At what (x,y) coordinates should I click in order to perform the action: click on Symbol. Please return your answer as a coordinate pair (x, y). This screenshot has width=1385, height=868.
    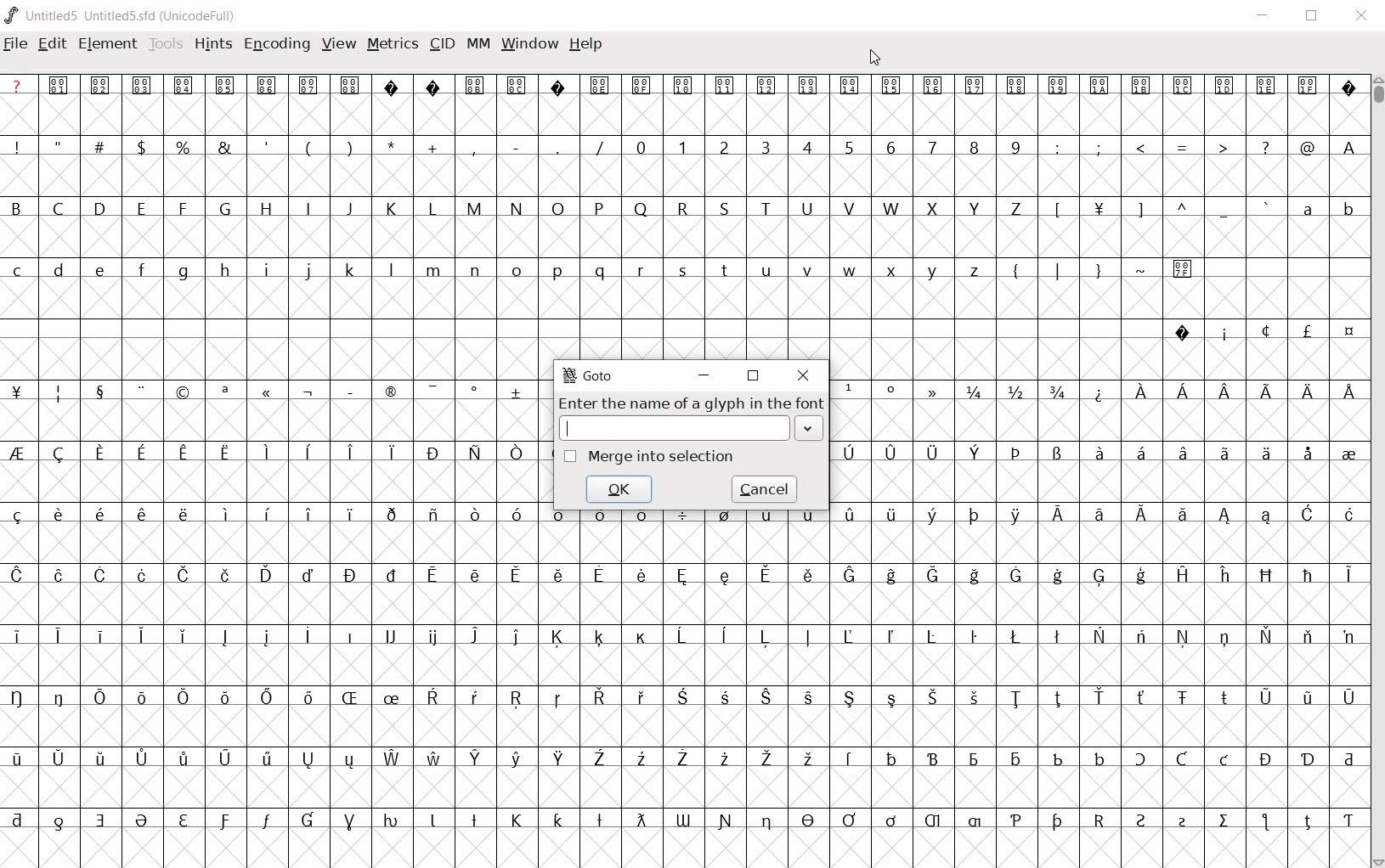
    Looking at the image, I should click on (1016, 454).